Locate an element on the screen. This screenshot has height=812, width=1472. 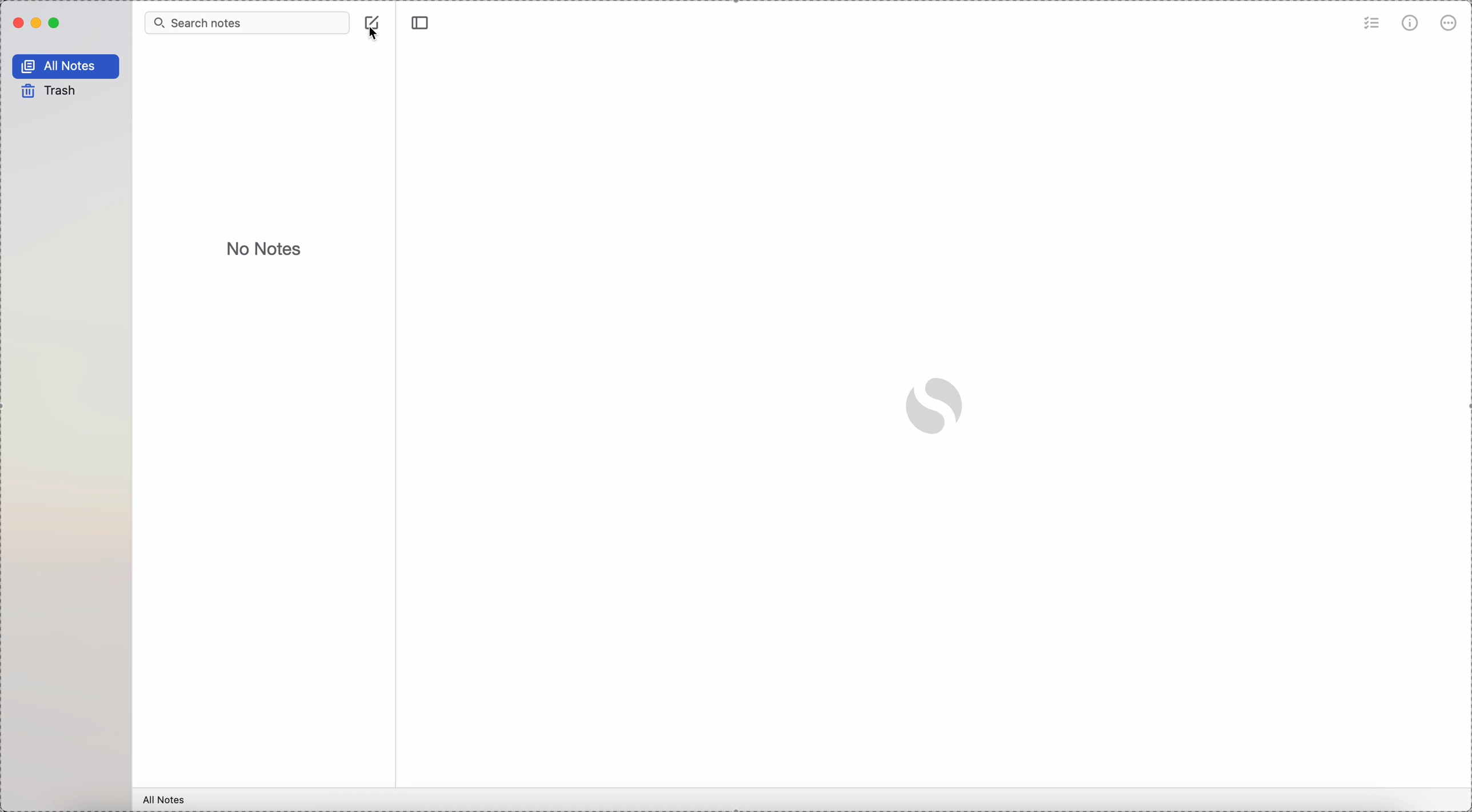
check list is located at coordinates (1370, 24).